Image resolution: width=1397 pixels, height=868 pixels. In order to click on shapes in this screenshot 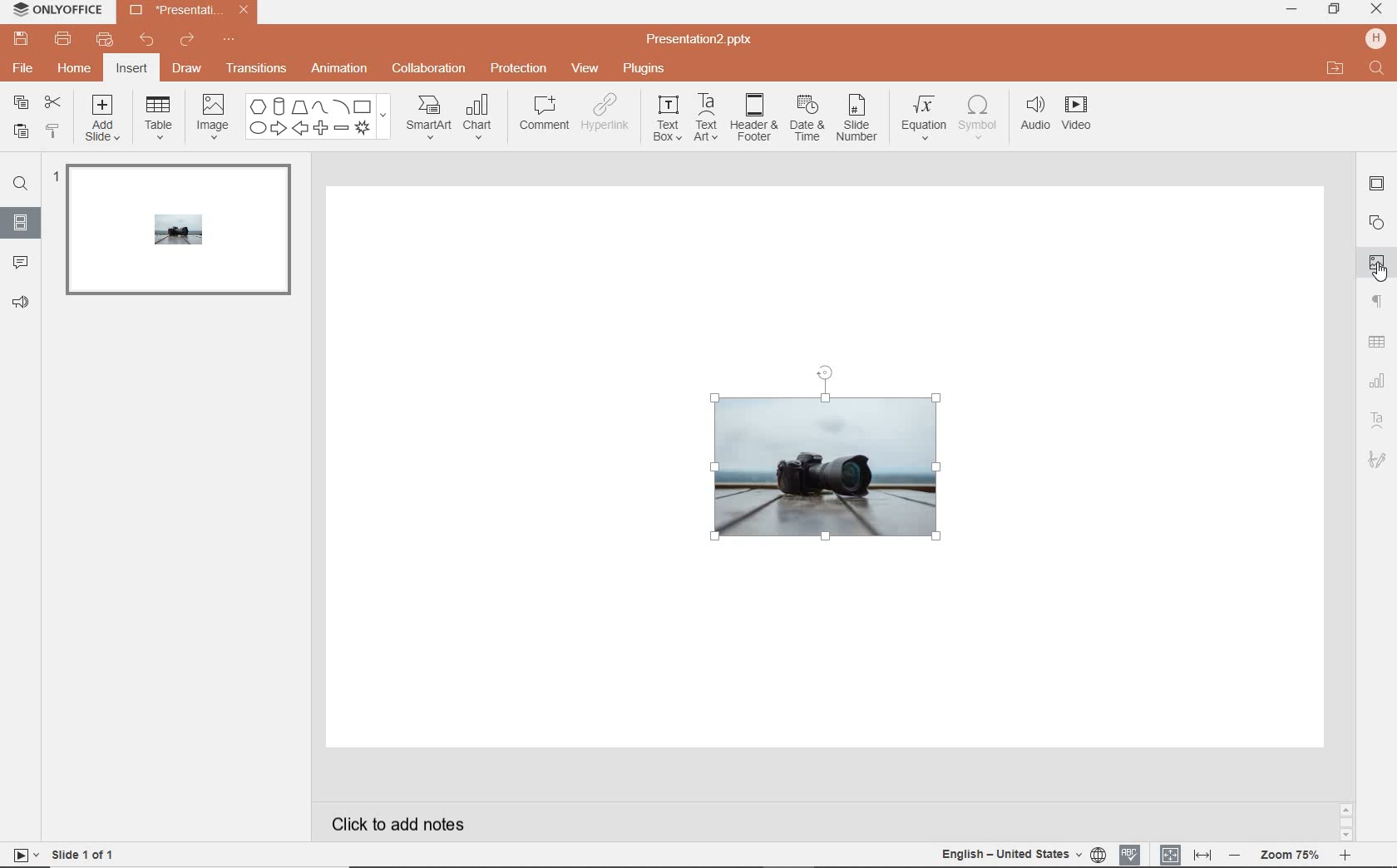, I will do `click(1376, 221)`.